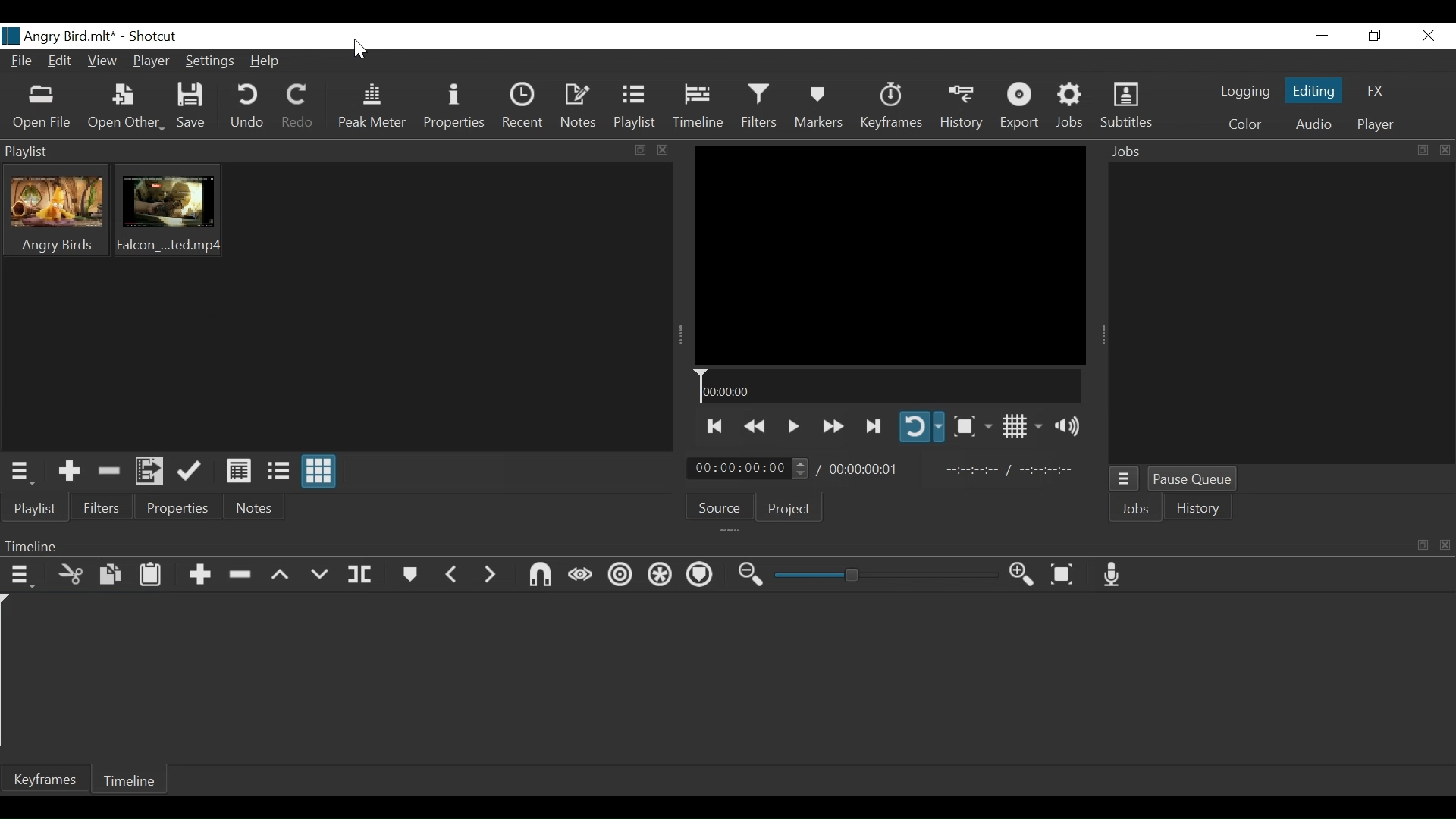  Describe the element at coordinates (71, 575) in the screenshot. I see `Cut` at that location.